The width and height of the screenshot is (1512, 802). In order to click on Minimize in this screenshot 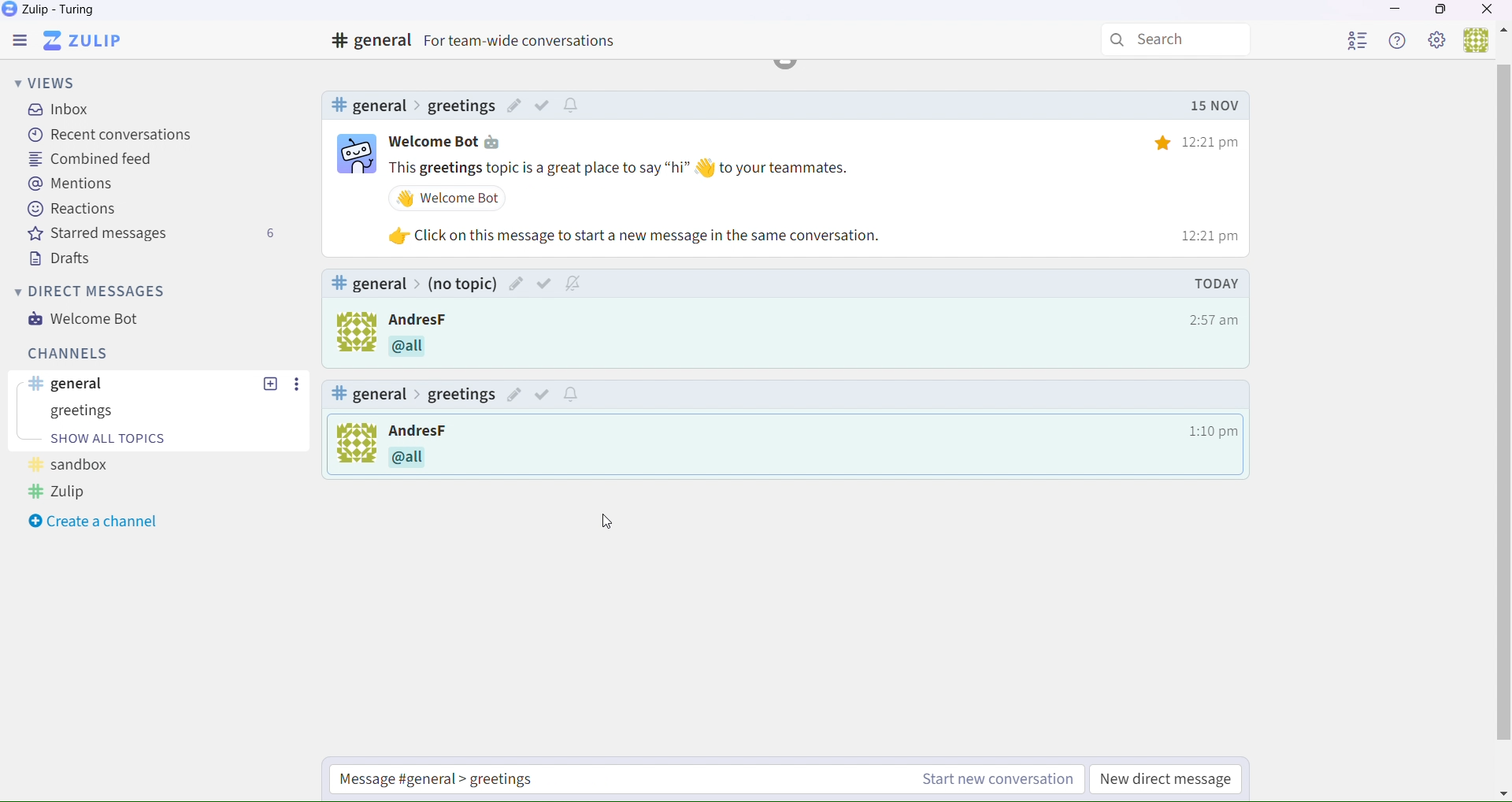, I will do `click(1395, 12)`.